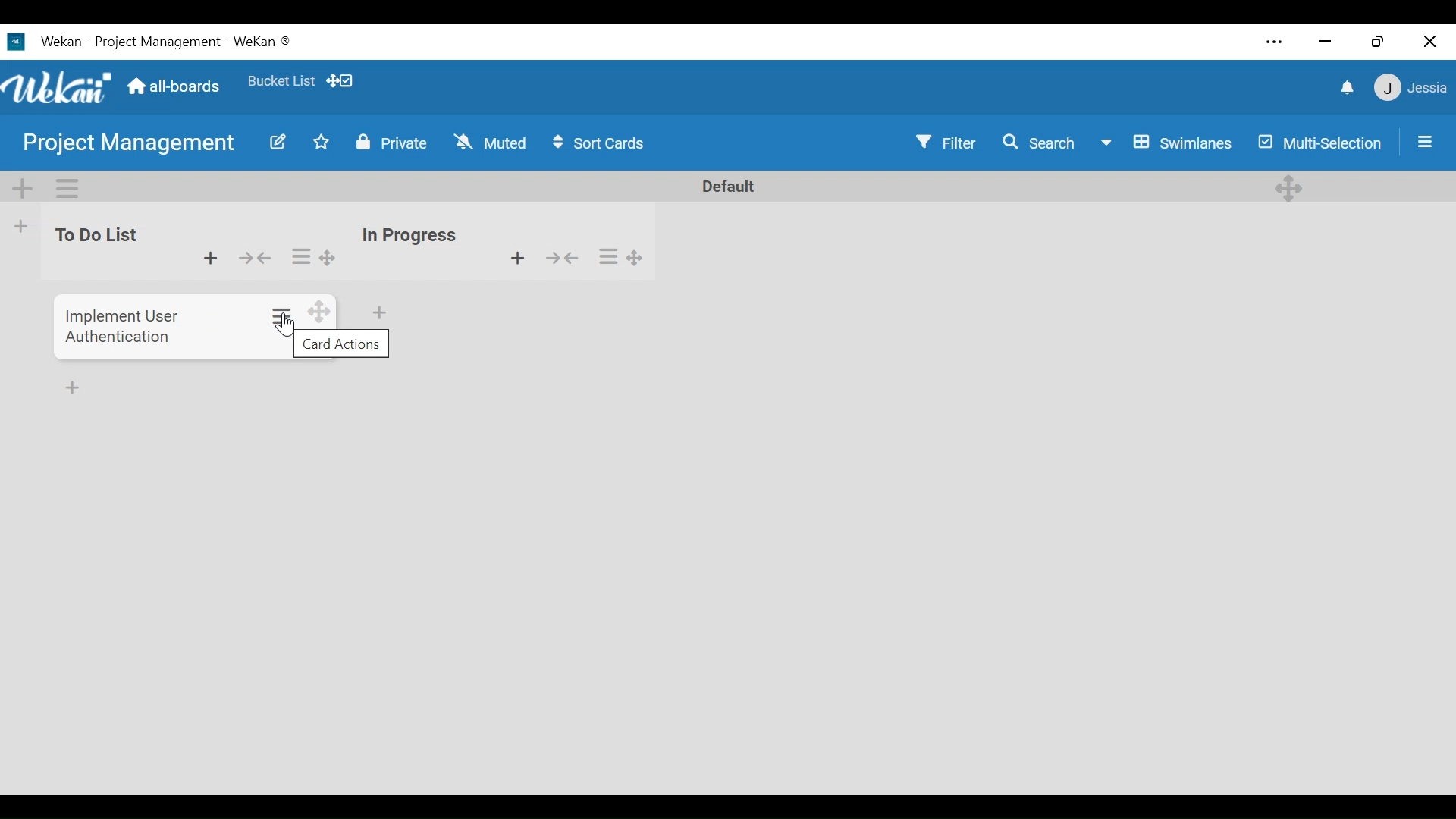 The width and height of the screenshot is (1456, 819). Describe the element at coordinates (209, 259) in the screenshot. I see `add card to the top of the list` at that location.